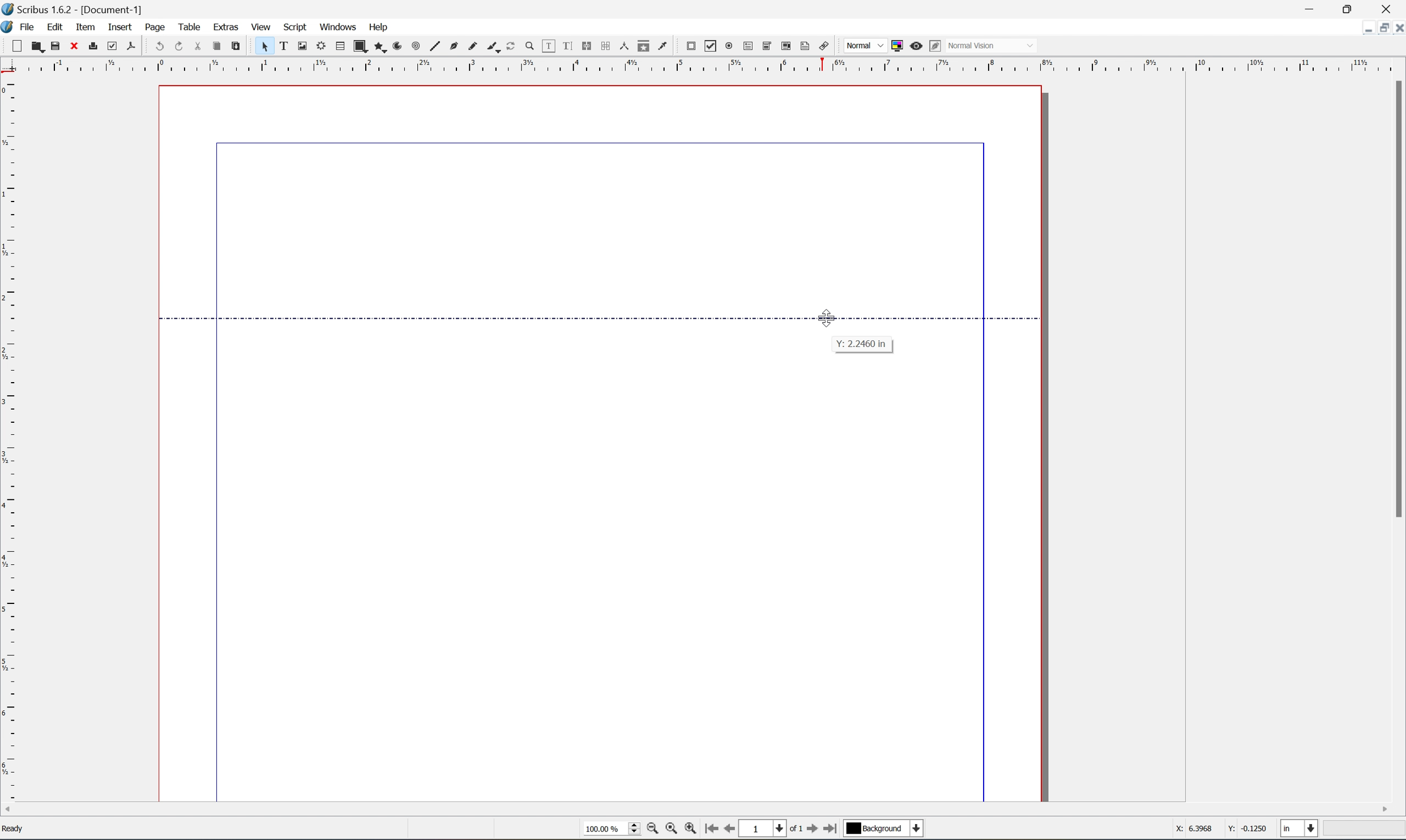  I want to click on eye dropper, so click(665, 46).